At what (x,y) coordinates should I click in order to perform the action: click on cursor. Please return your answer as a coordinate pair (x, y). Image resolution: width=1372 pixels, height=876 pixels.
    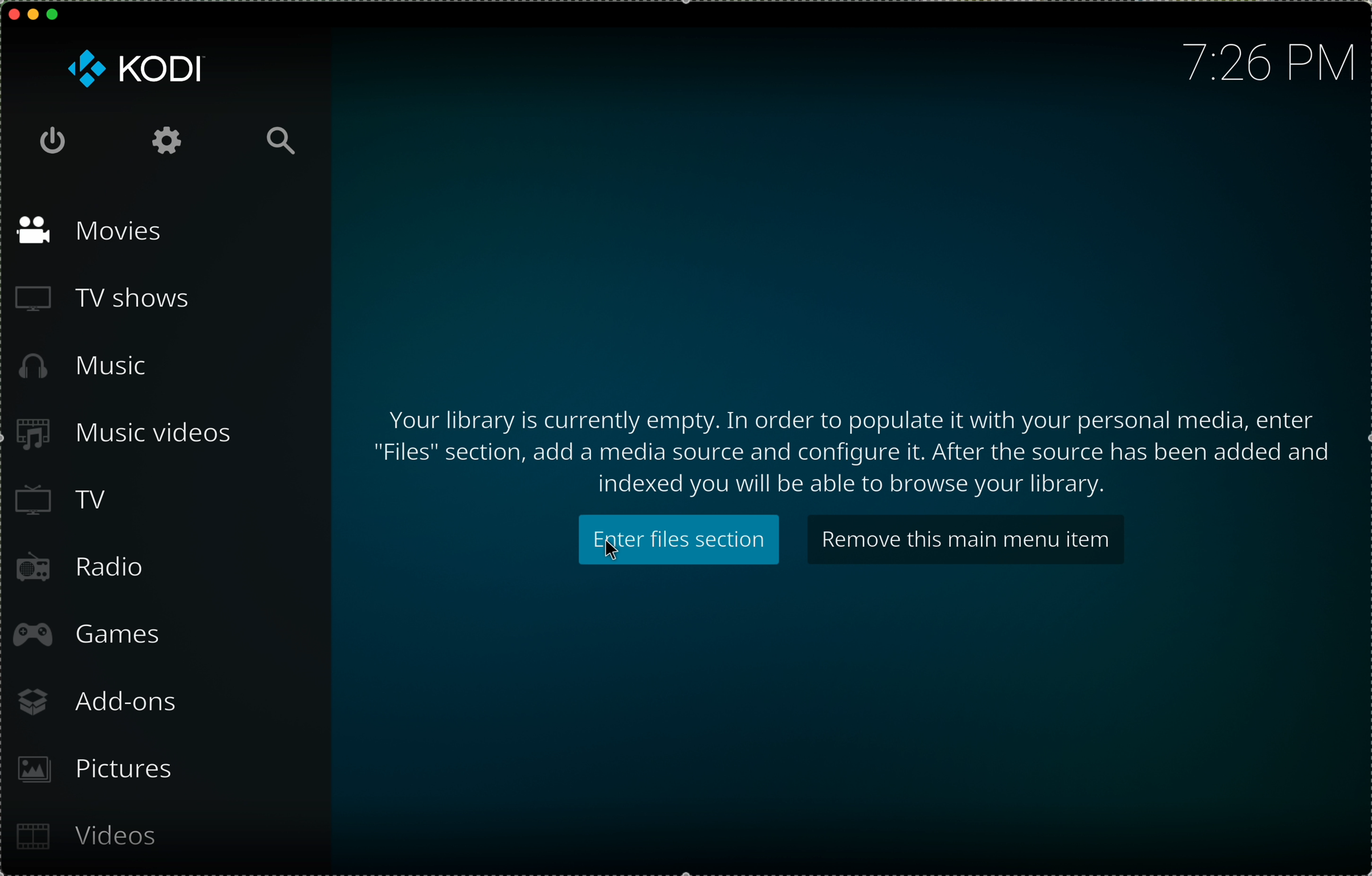
    Looking at the image, I should click on (613, 552).